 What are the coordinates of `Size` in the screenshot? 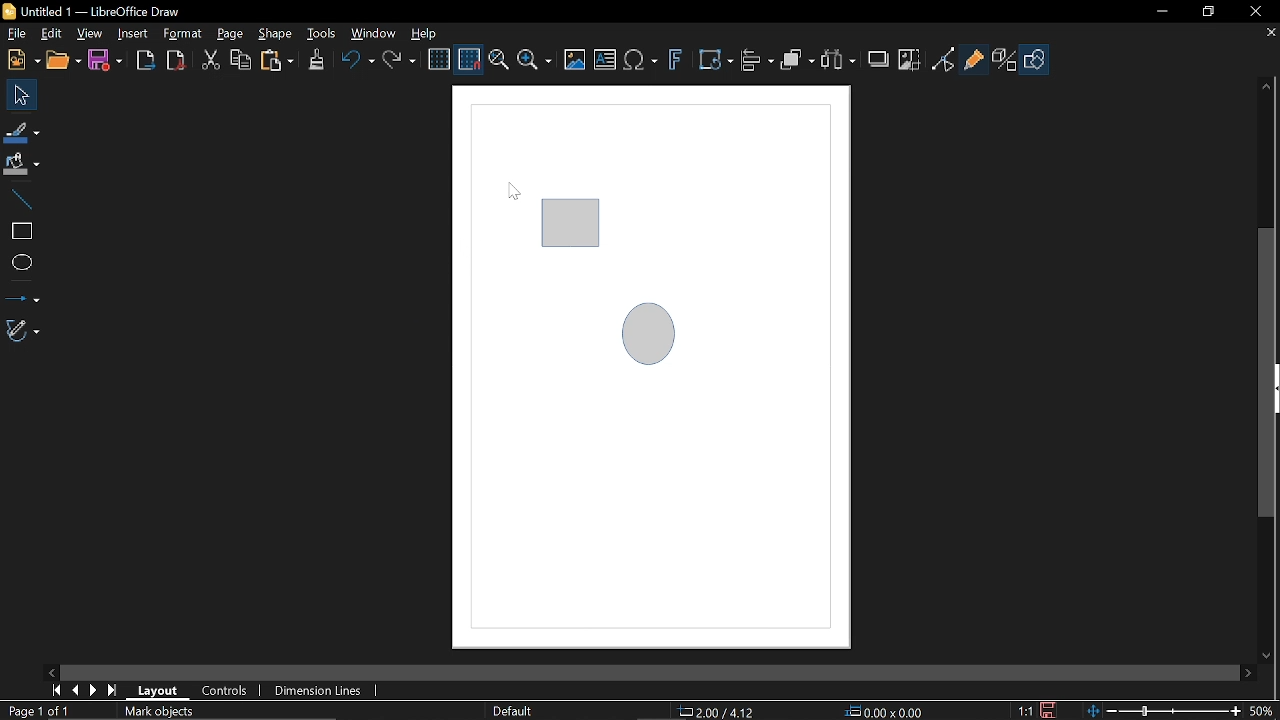 It's located at (891, 712).